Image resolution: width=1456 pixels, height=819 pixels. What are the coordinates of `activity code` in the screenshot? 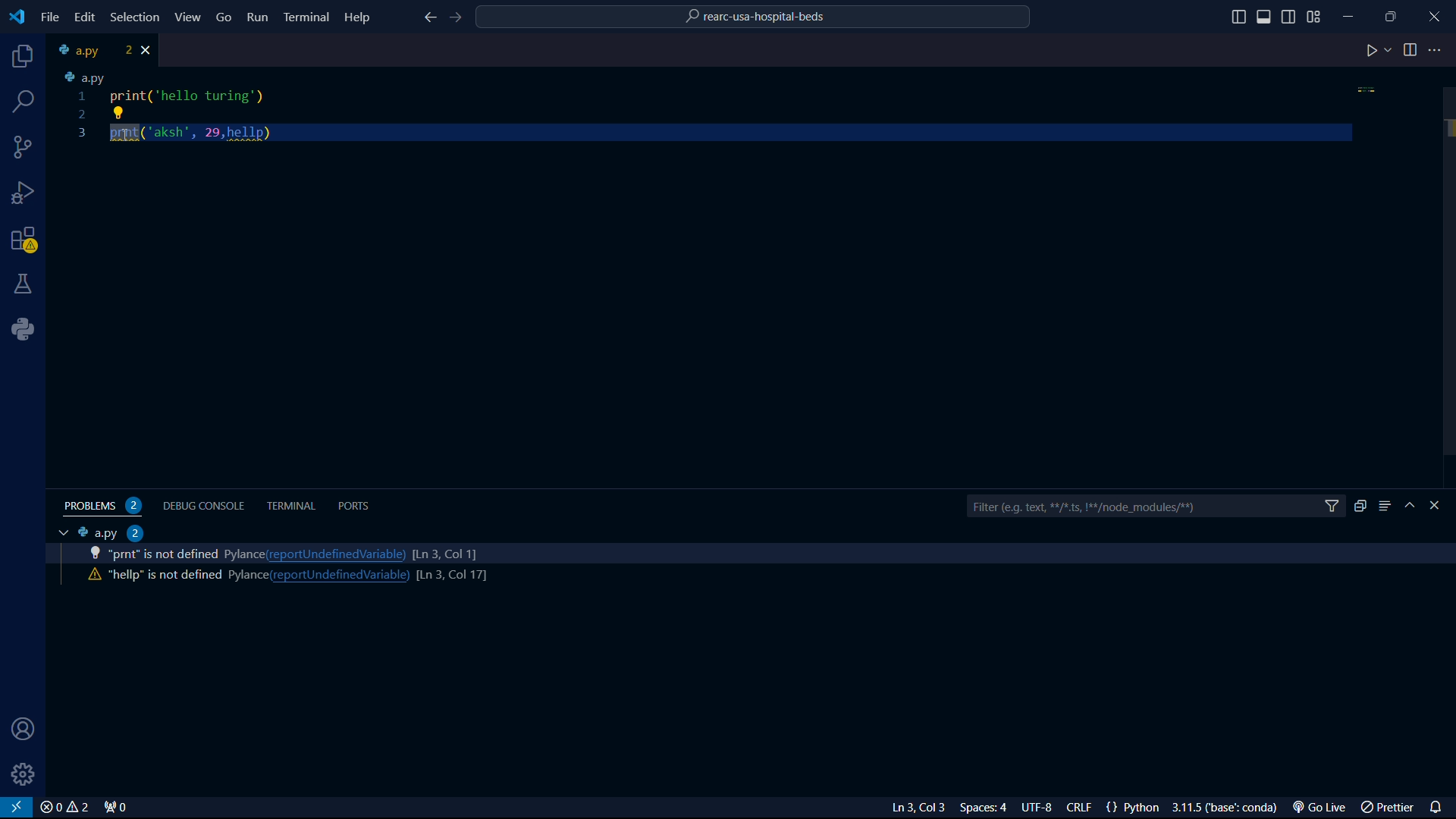 It's located at (163, 576).